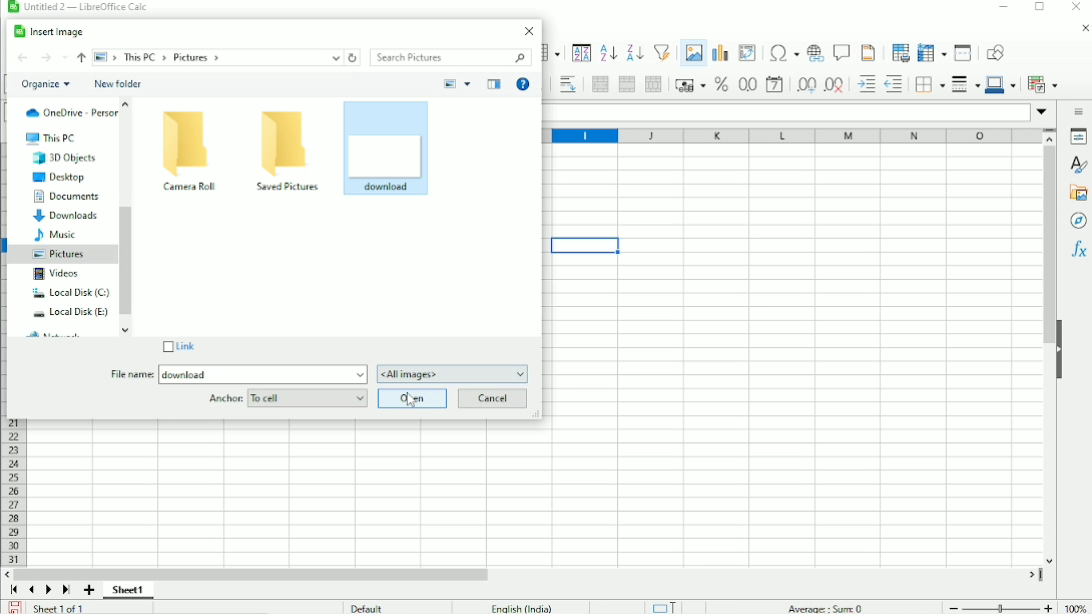 The height and width of the screenshot is (614, 1092). What do you see at coordinates (899, 52) in the screenshot?
I see `Define print area` at bounding box center [899, 52].